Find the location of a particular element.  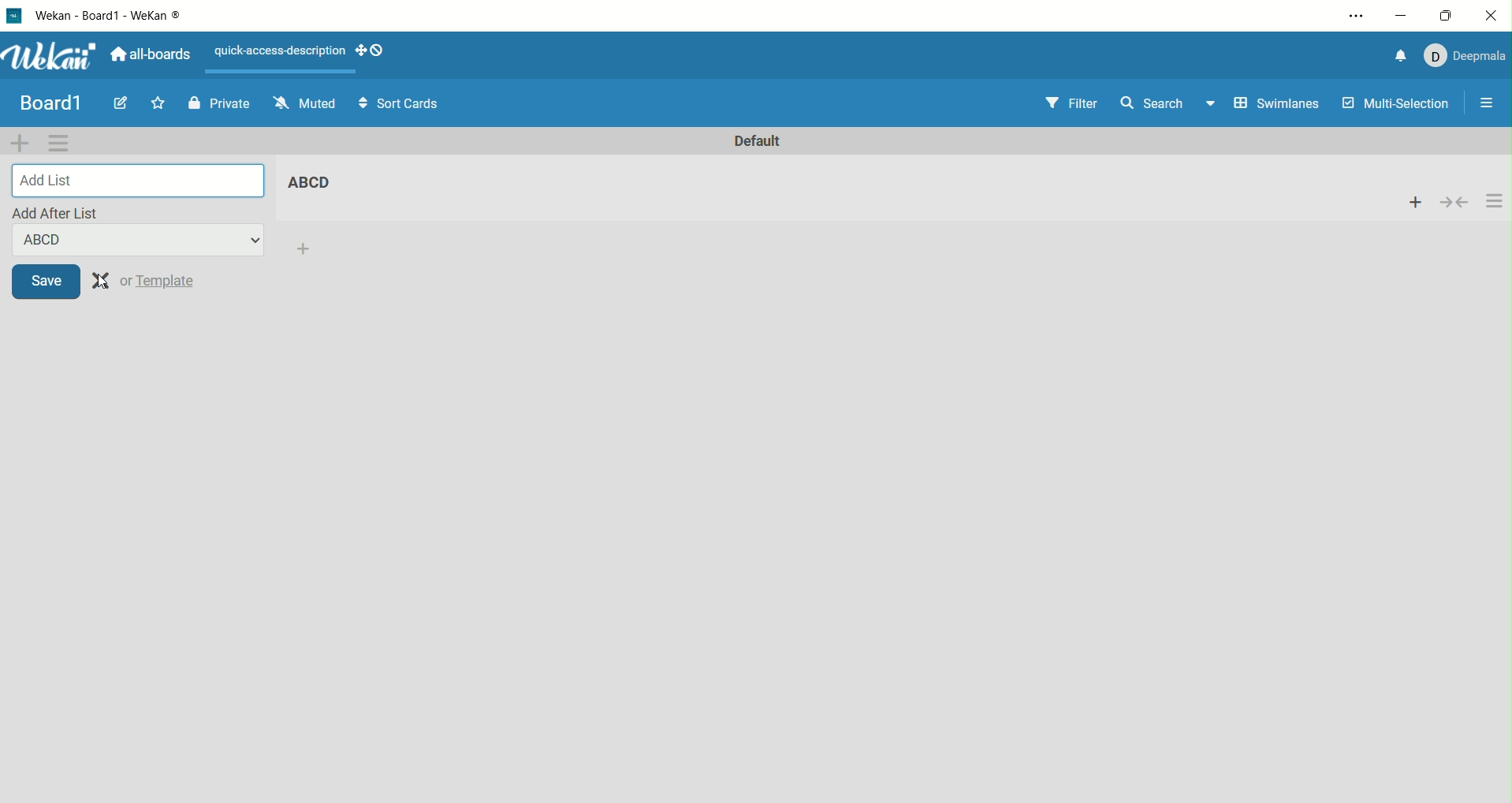

swimlane actions is located at coordinates (59, 144).